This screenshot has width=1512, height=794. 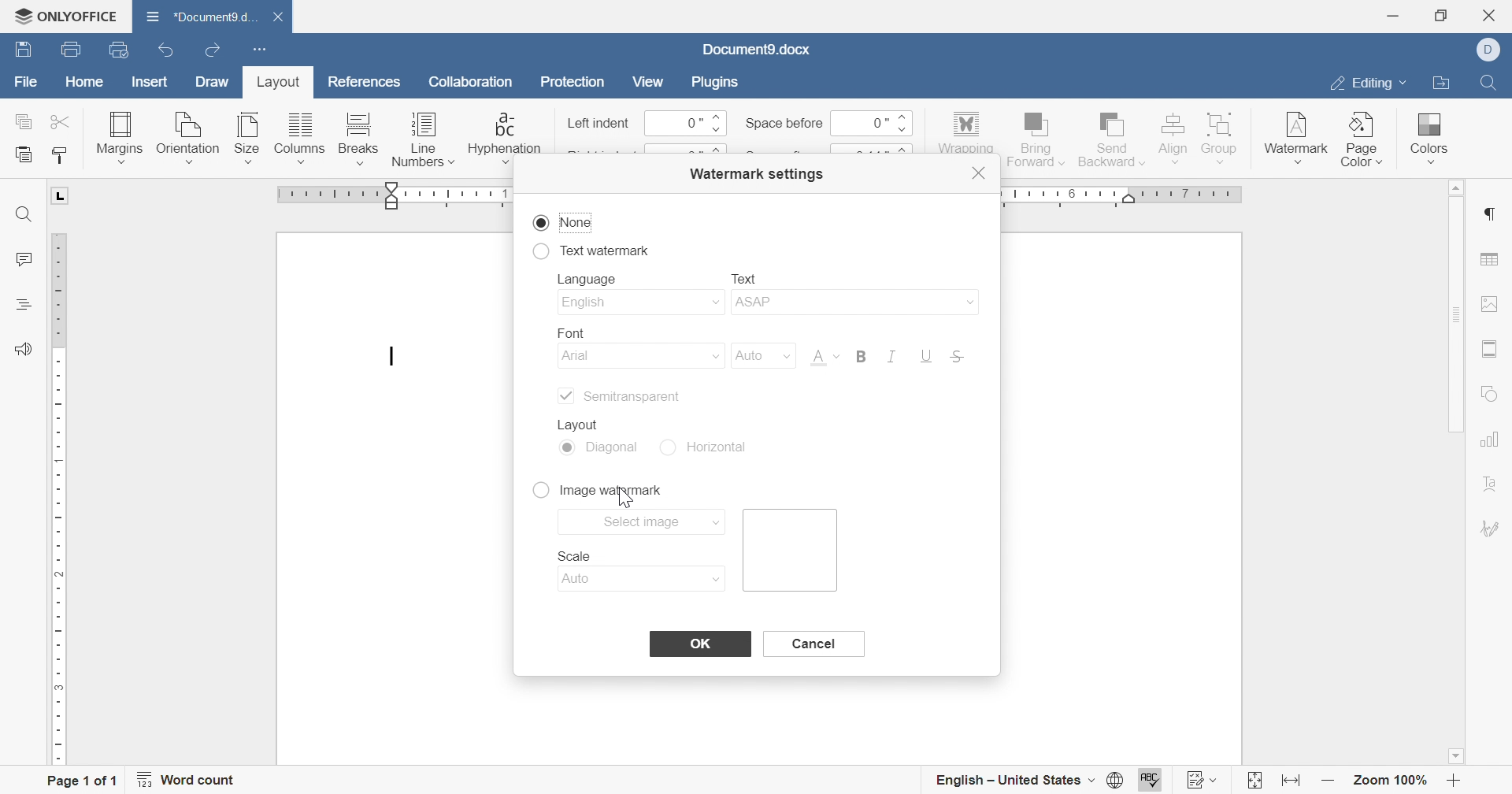 I want to click on language, so click(x=591, y=280).